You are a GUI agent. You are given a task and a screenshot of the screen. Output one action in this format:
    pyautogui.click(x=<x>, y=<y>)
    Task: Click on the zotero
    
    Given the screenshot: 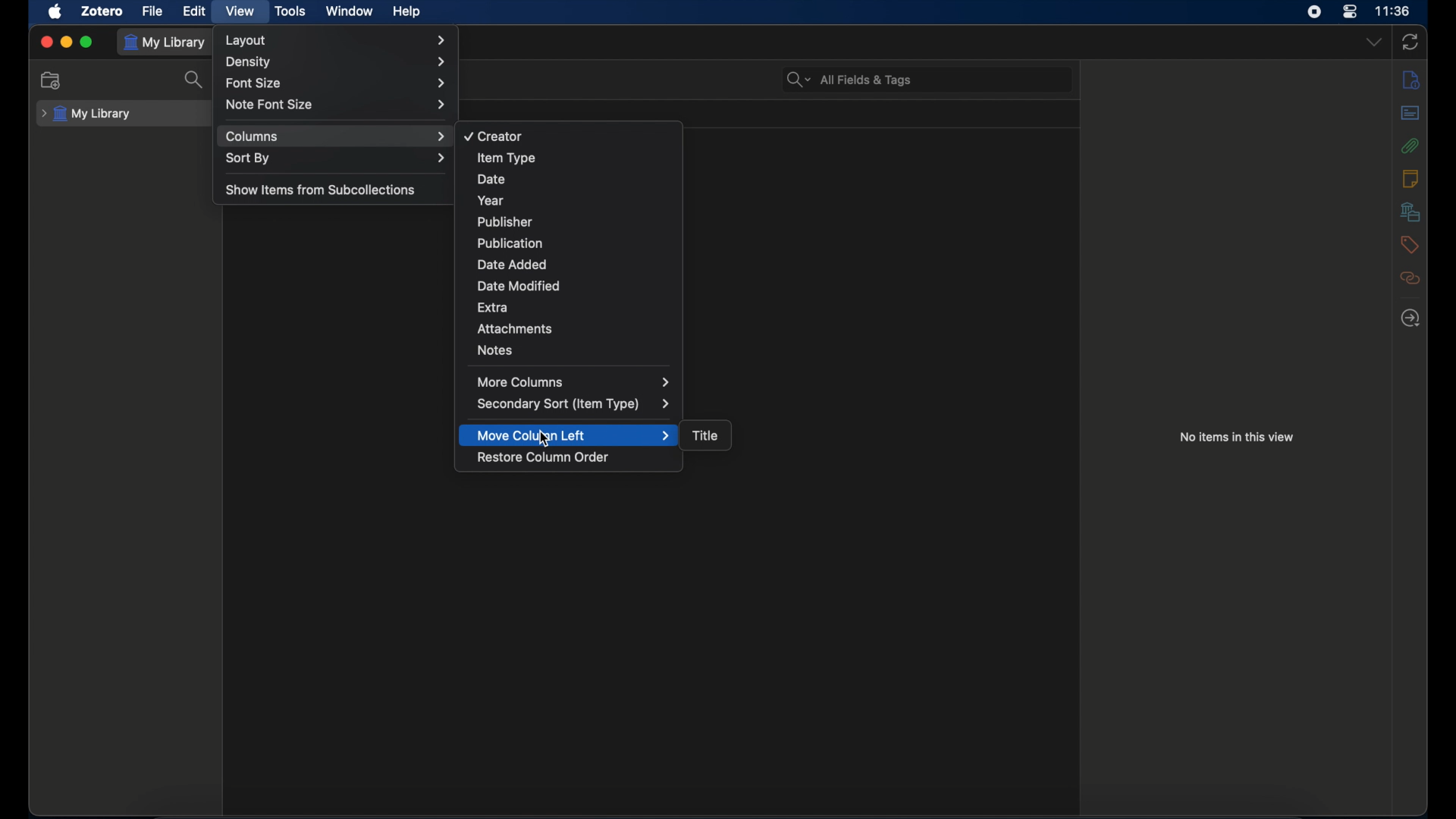 What is the action you would take?
    pyautogui.click(x=102, y=11)
    